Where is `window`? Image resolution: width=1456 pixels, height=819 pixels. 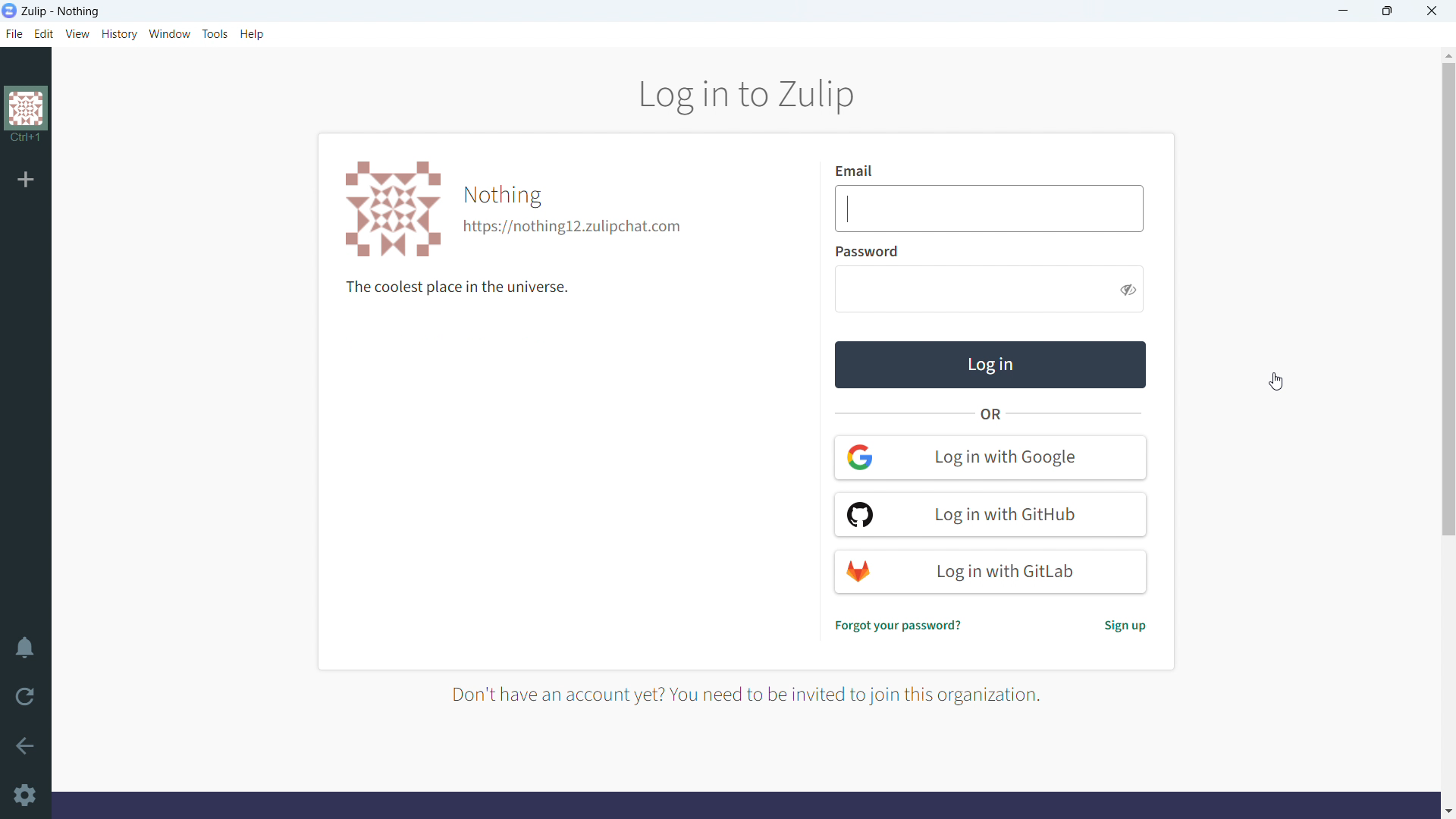 window is located at coordinates (171, 33).